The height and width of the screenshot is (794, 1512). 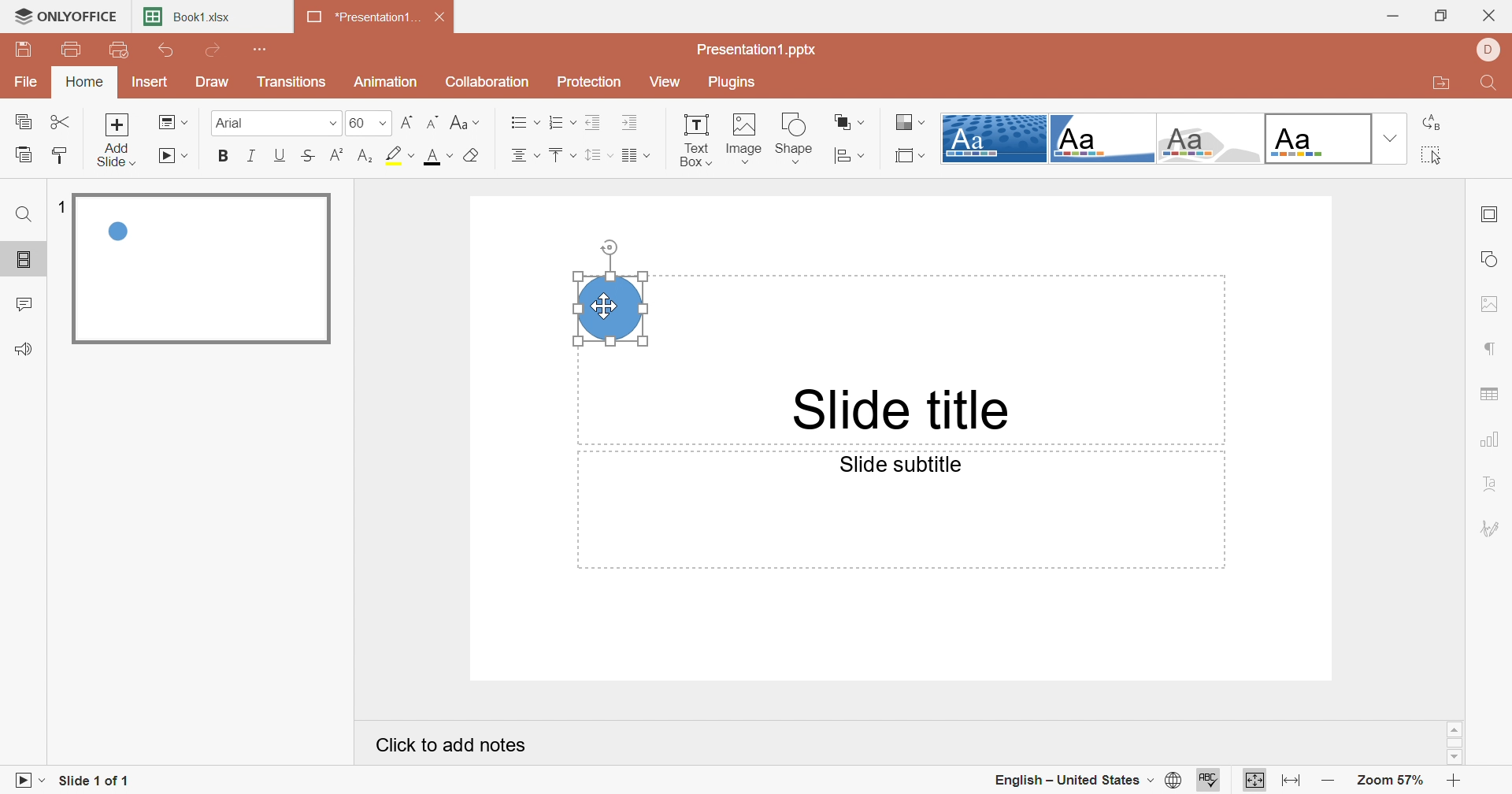 I want to click on Image settings, so click(x=1492, y=304).